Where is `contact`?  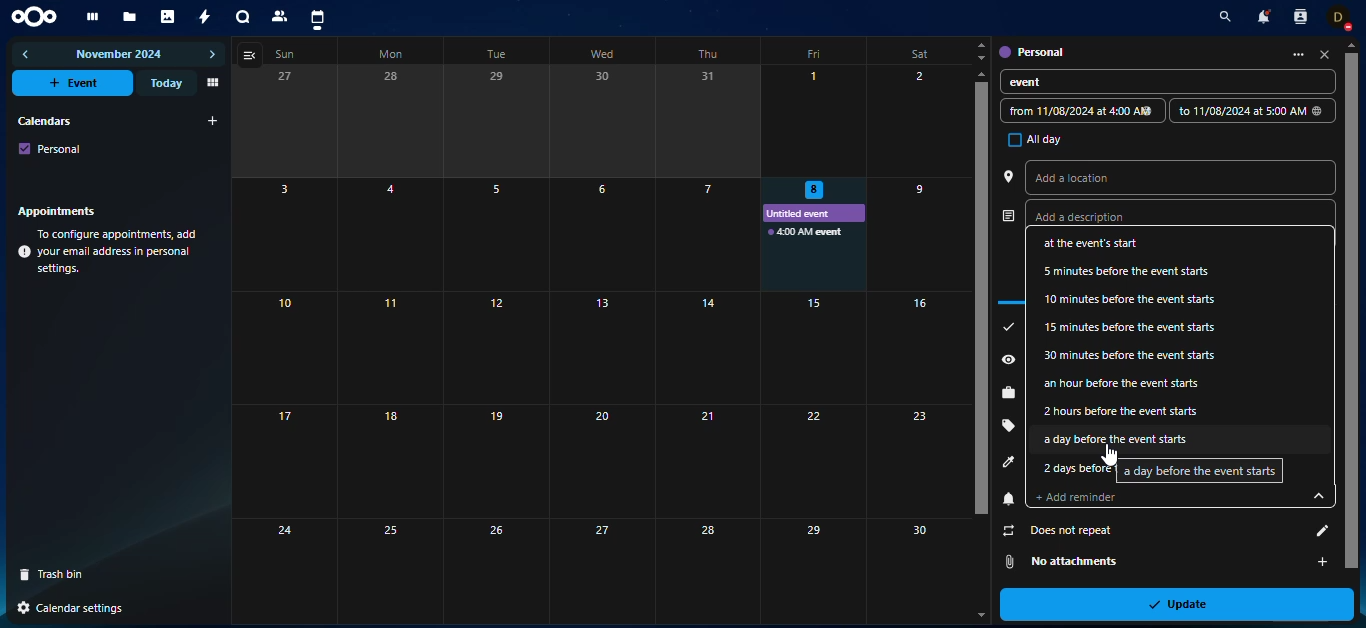
contact is located at coordinates (281, 16).